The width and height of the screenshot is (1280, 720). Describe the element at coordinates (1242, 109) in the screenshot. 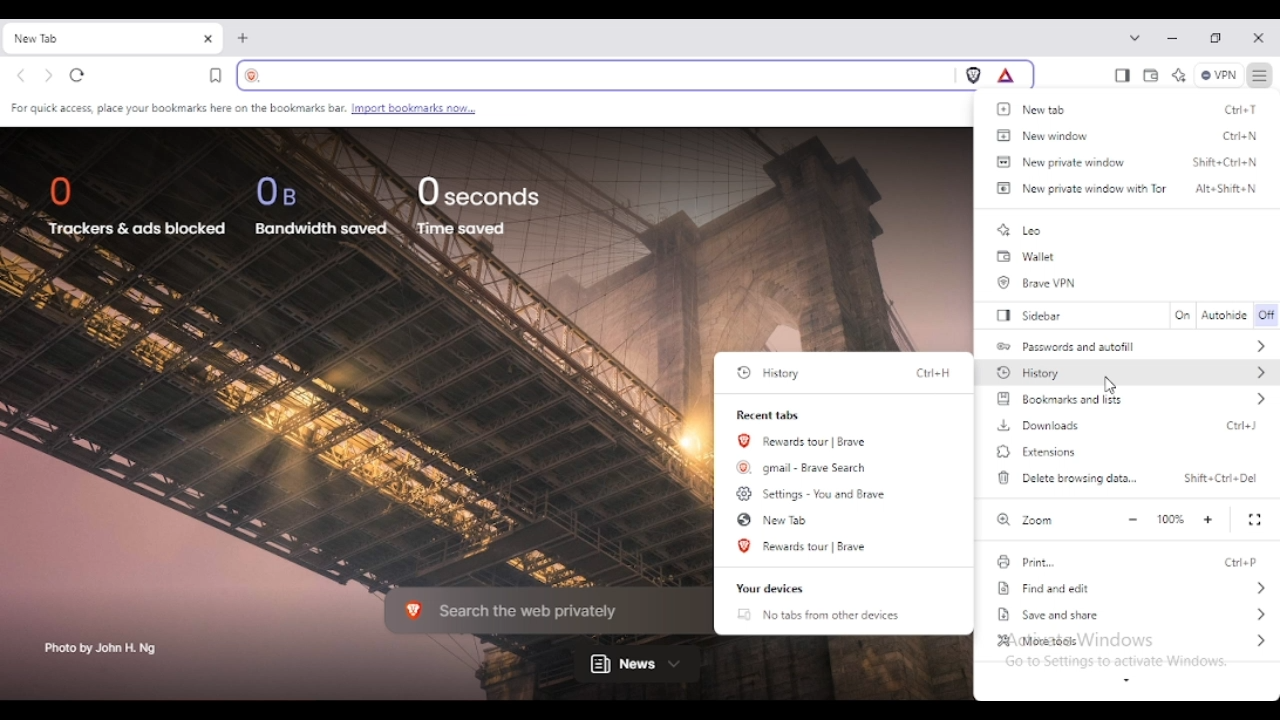

I see `shortcut for new tab` at that location.